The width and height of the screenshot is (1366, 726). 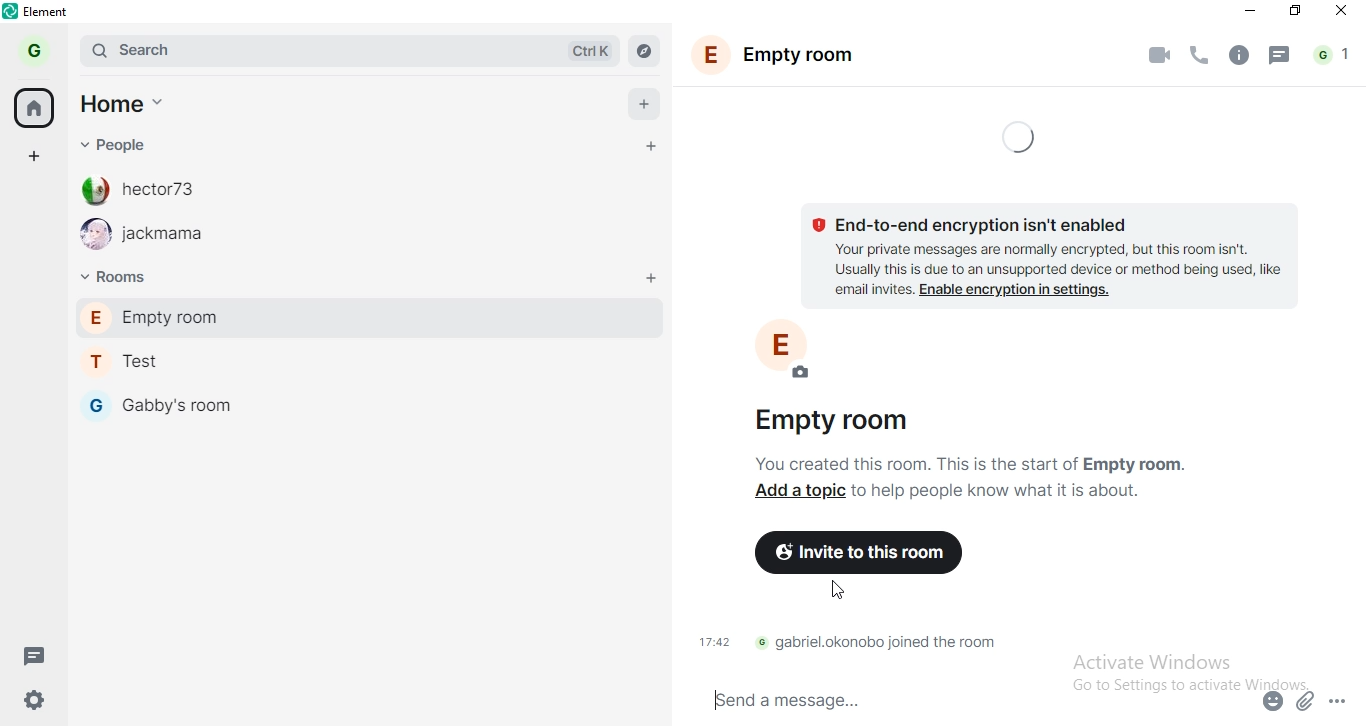 I want to click on emoji, so click(x=1271, y=703).